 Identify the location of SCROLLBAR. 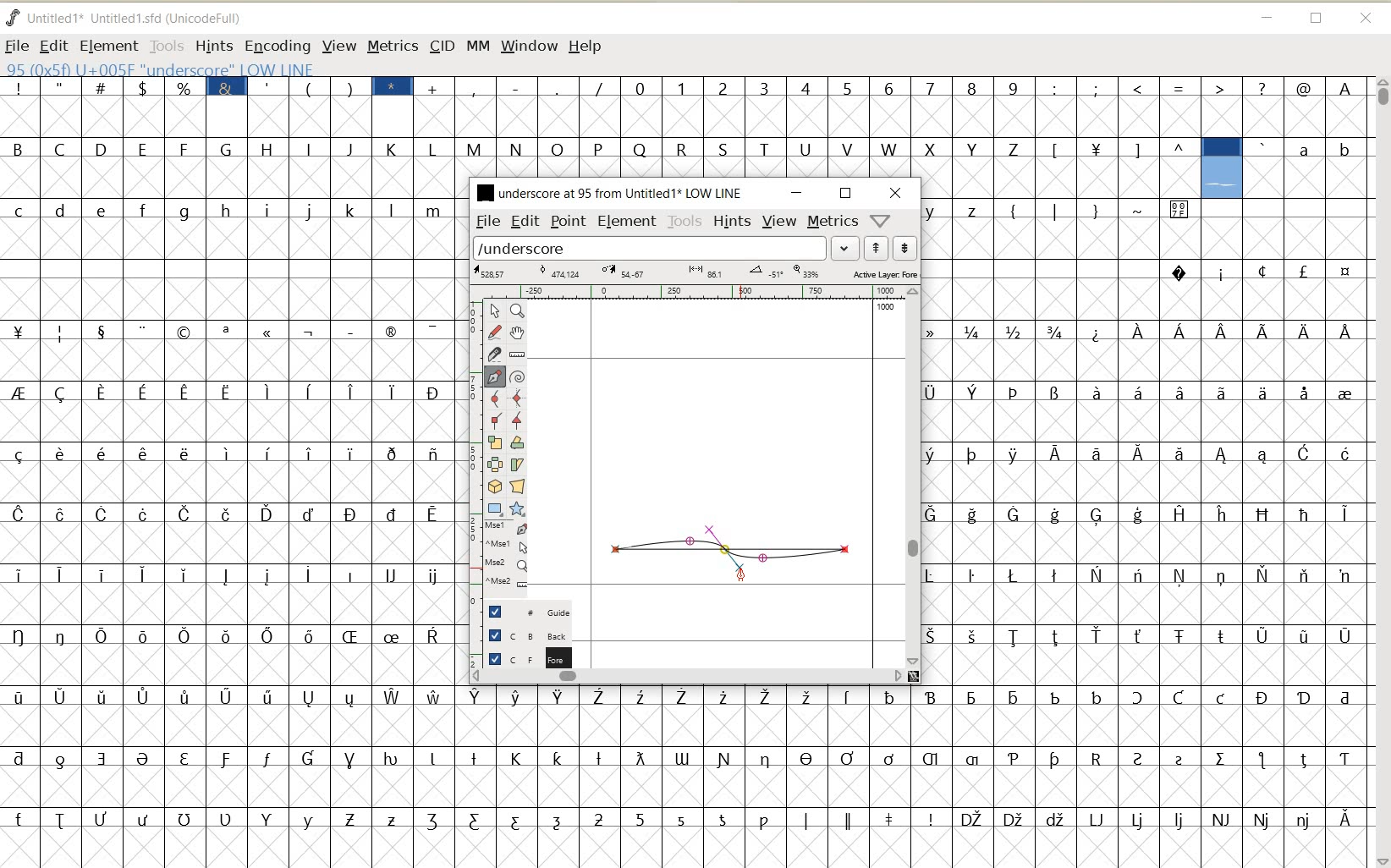
(914, 477).